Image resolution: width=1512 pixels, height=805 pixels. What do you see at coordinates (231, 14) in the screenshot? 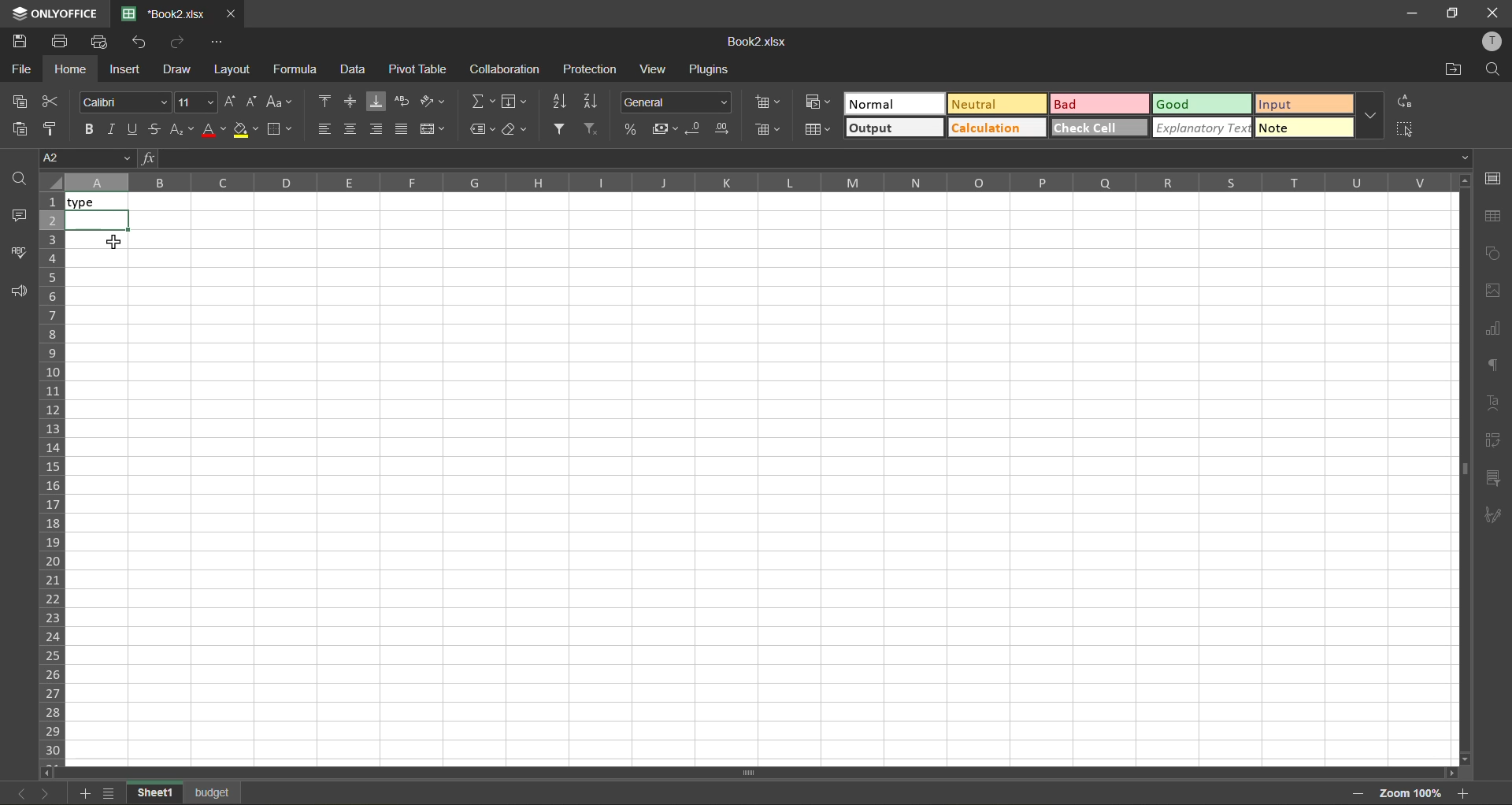
I see `close tab` at bounding box center [231, 14].